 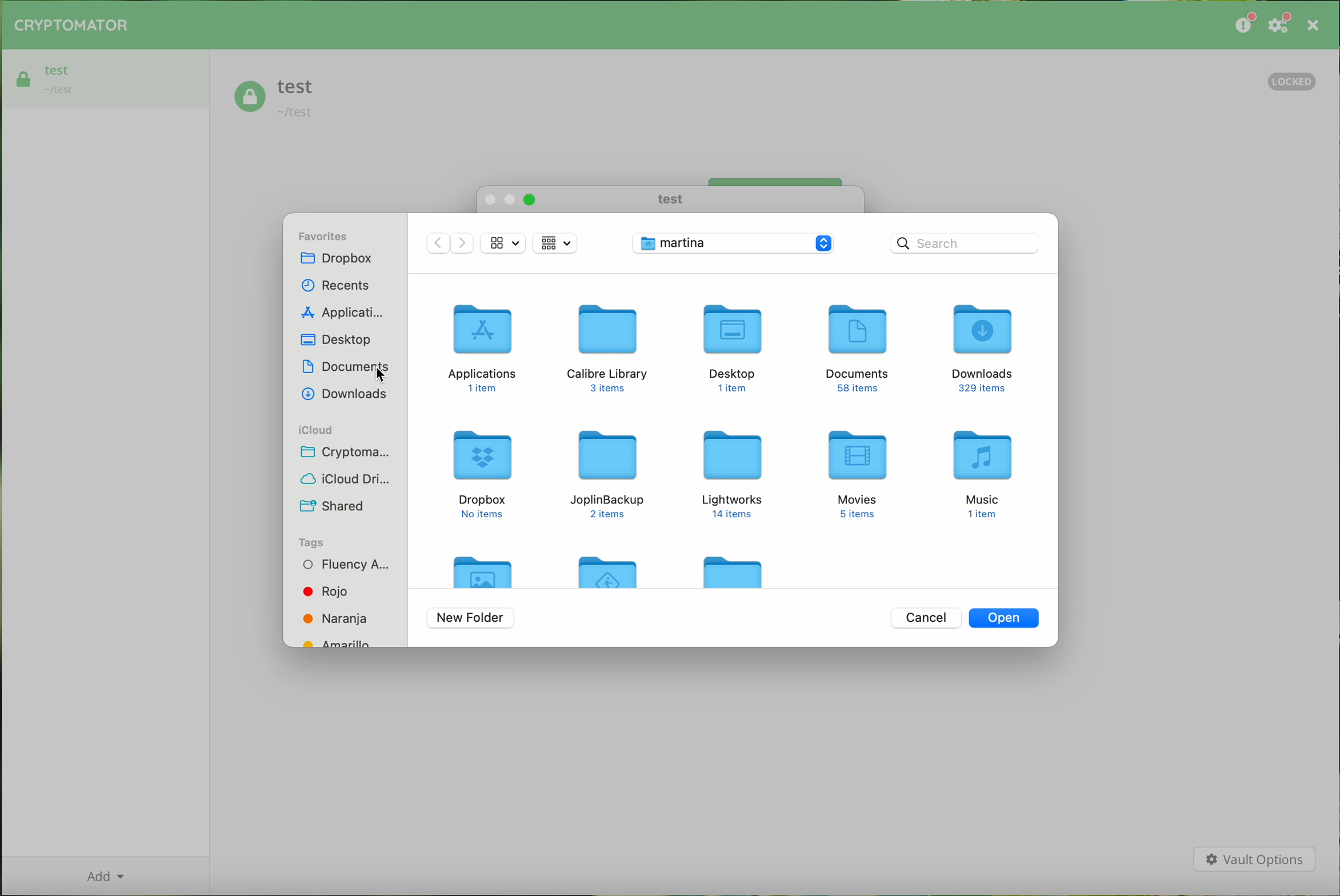 I want to click on fluency, so click(x=343, y=566).